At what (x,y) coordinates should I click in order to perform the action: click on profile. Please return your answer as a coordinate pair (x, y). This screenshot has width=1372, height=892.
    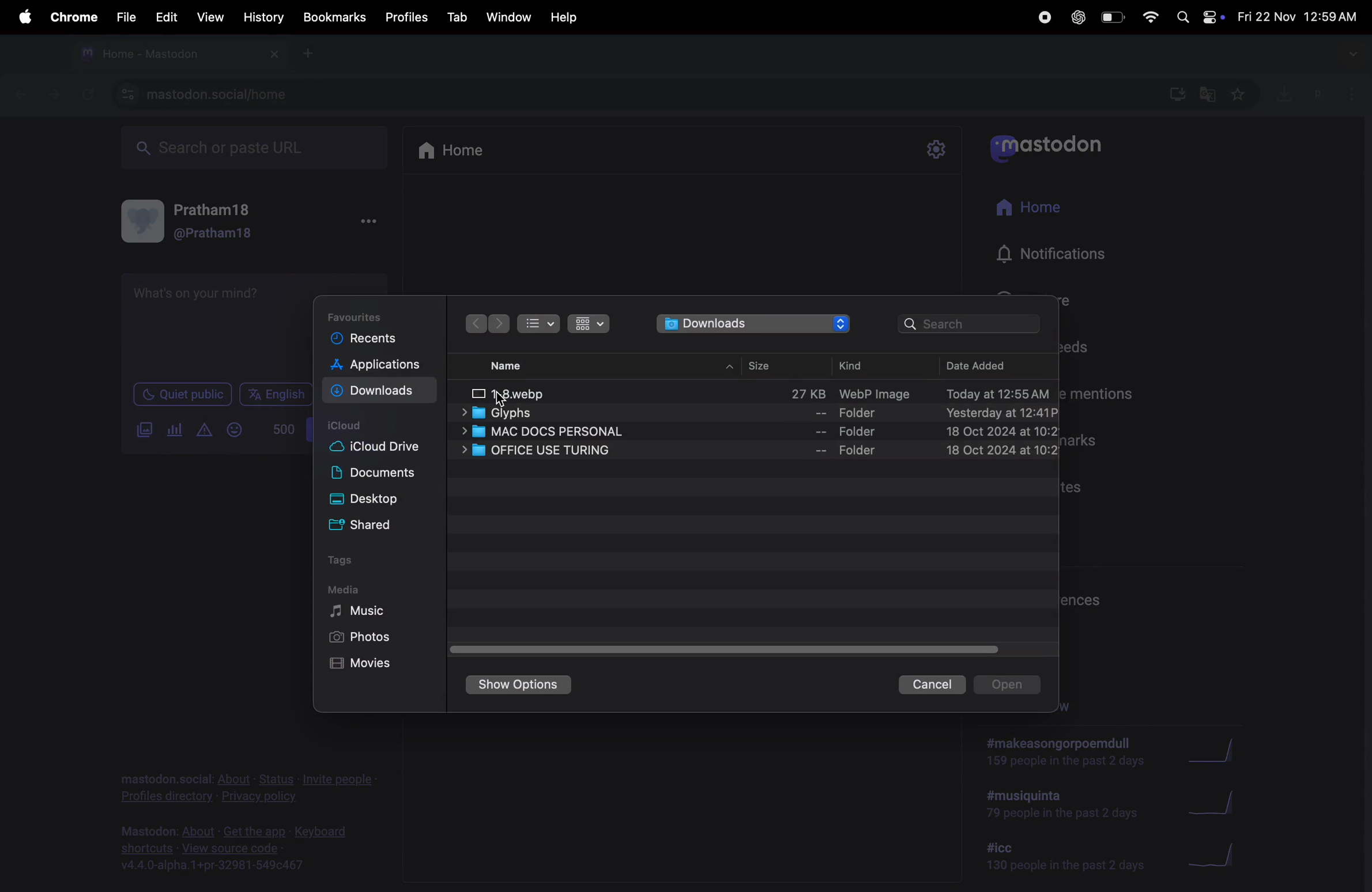
    Looking at the image, I should click on (1312, 95).